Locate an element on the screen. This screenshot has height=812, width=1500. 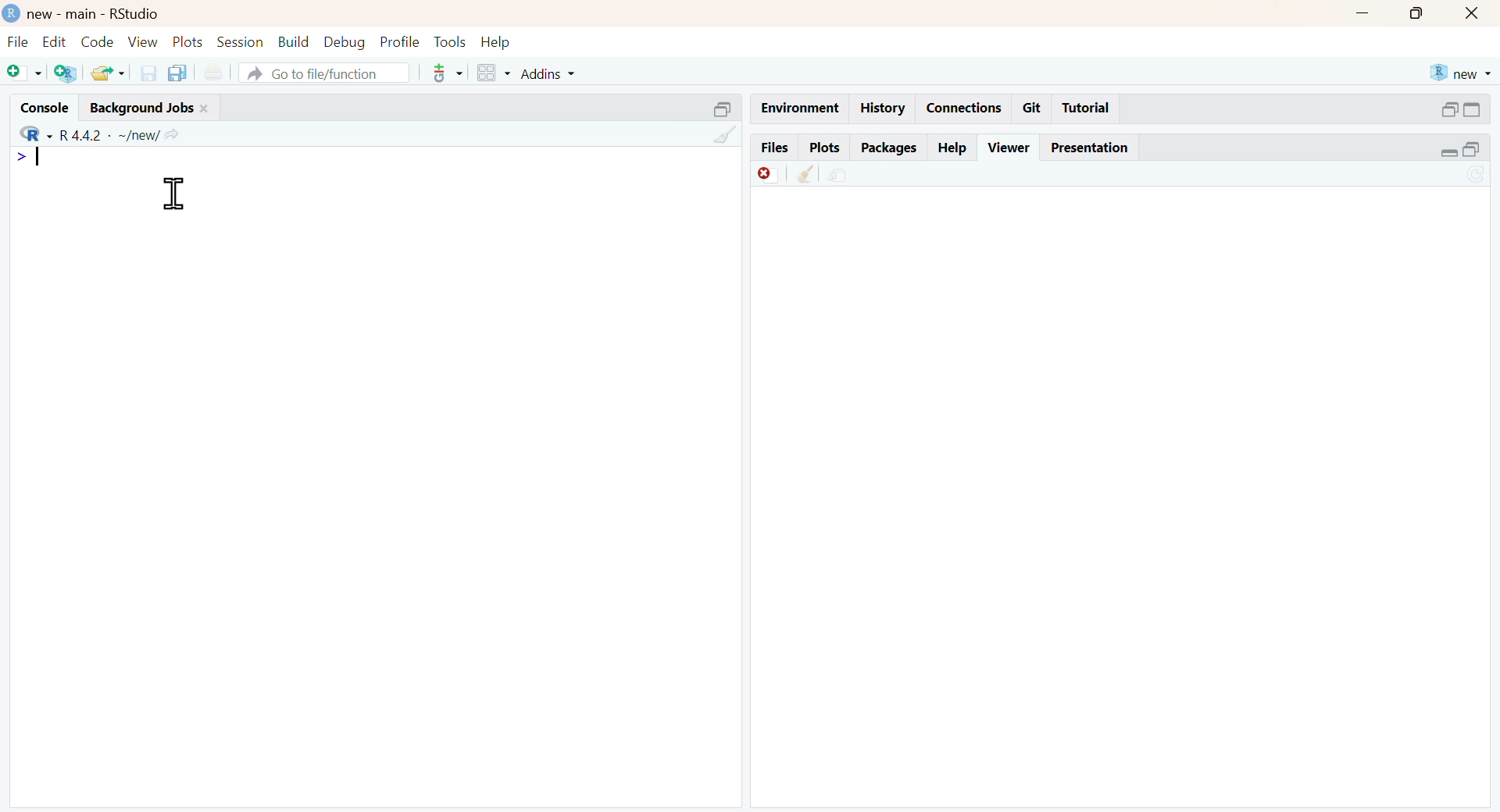
edit is located at coordinates (55, 41).